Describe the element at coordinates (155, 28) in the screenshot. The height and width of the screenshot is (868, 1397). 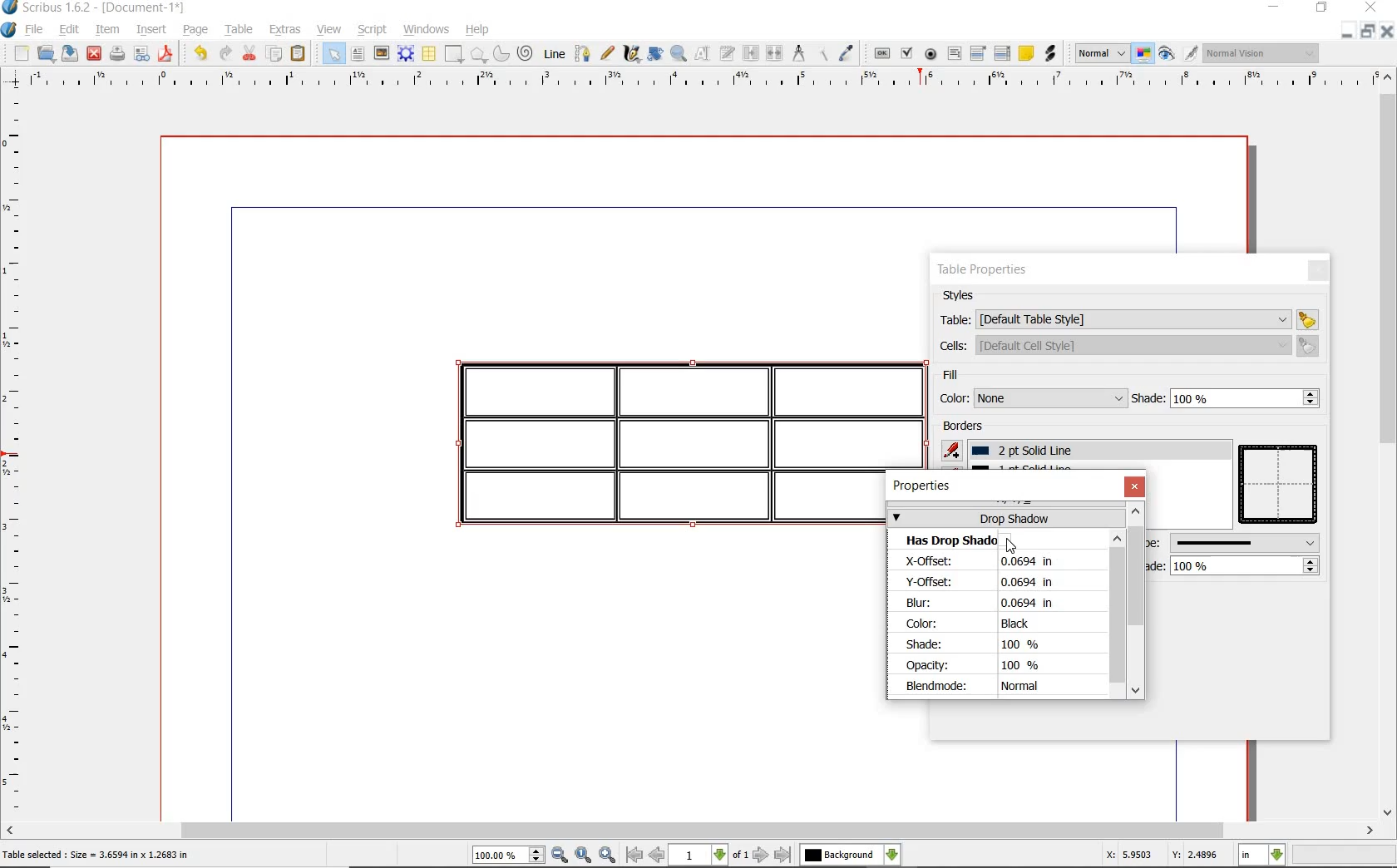
I see `insert` at that location.